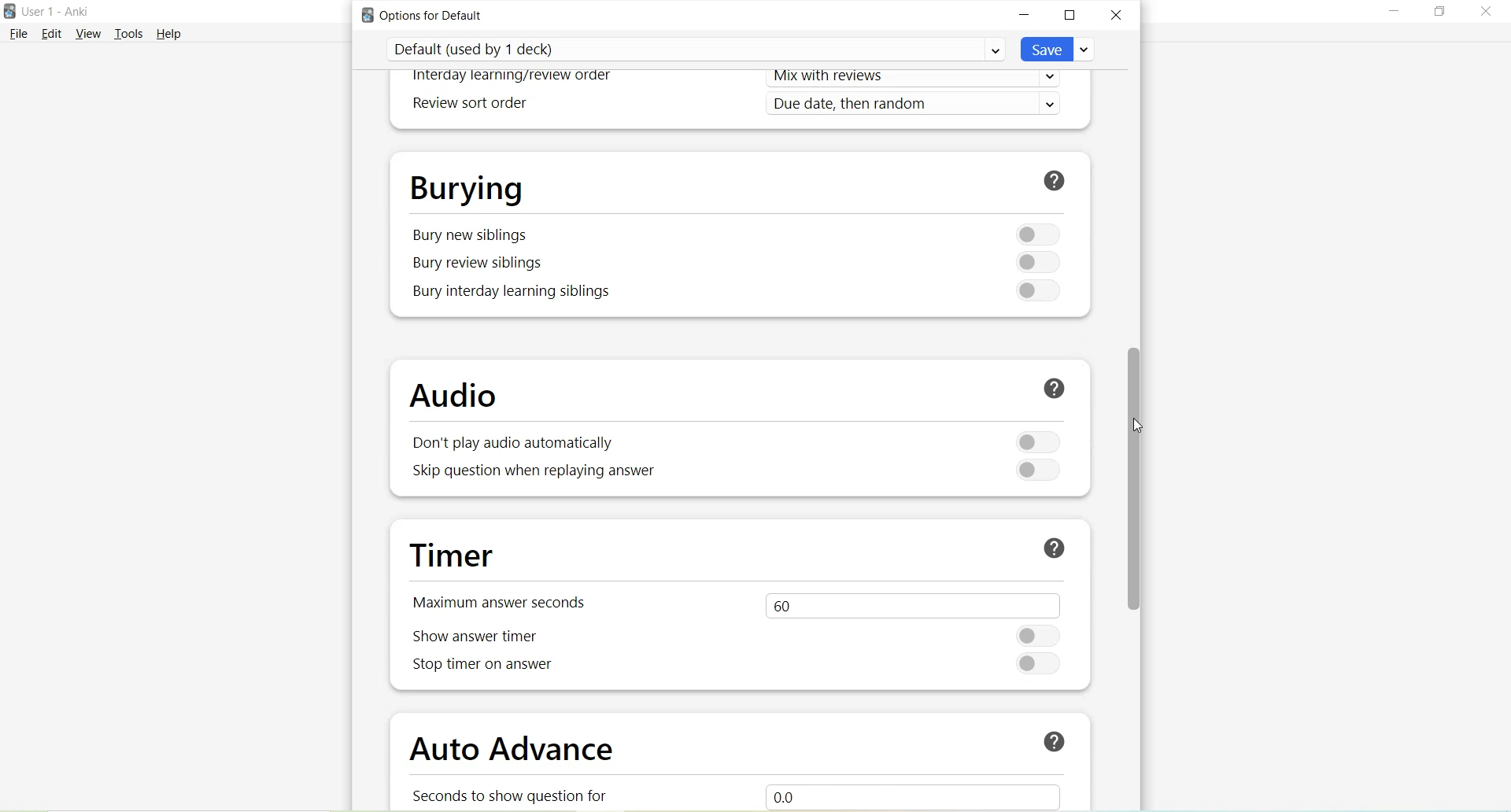 The image size is (1511, 812). I want to click on 60, so click(909, 603).